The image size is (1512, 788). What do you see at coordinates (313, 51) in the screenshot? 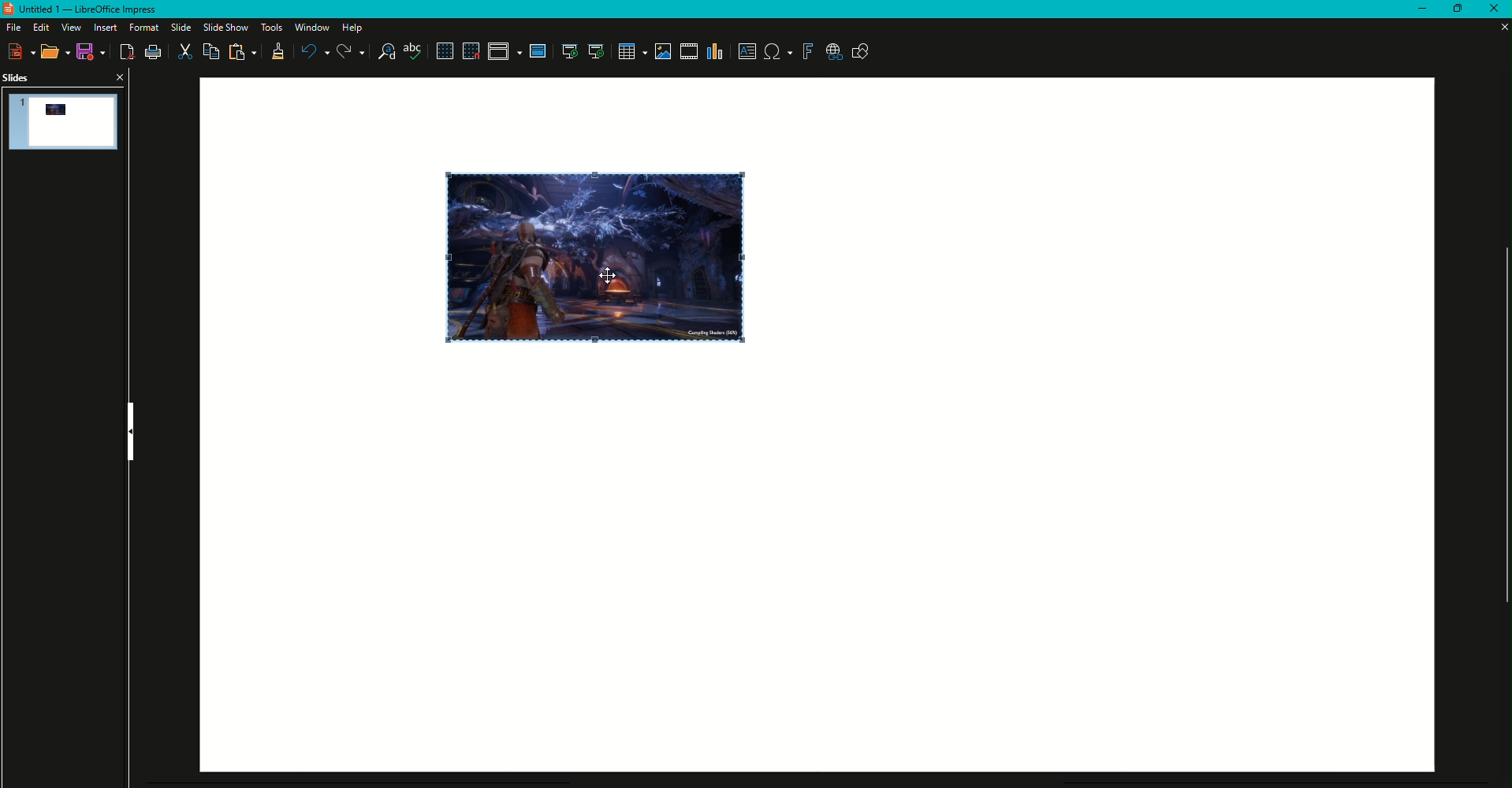
I see `Undo` at bounding box center [313, 51].